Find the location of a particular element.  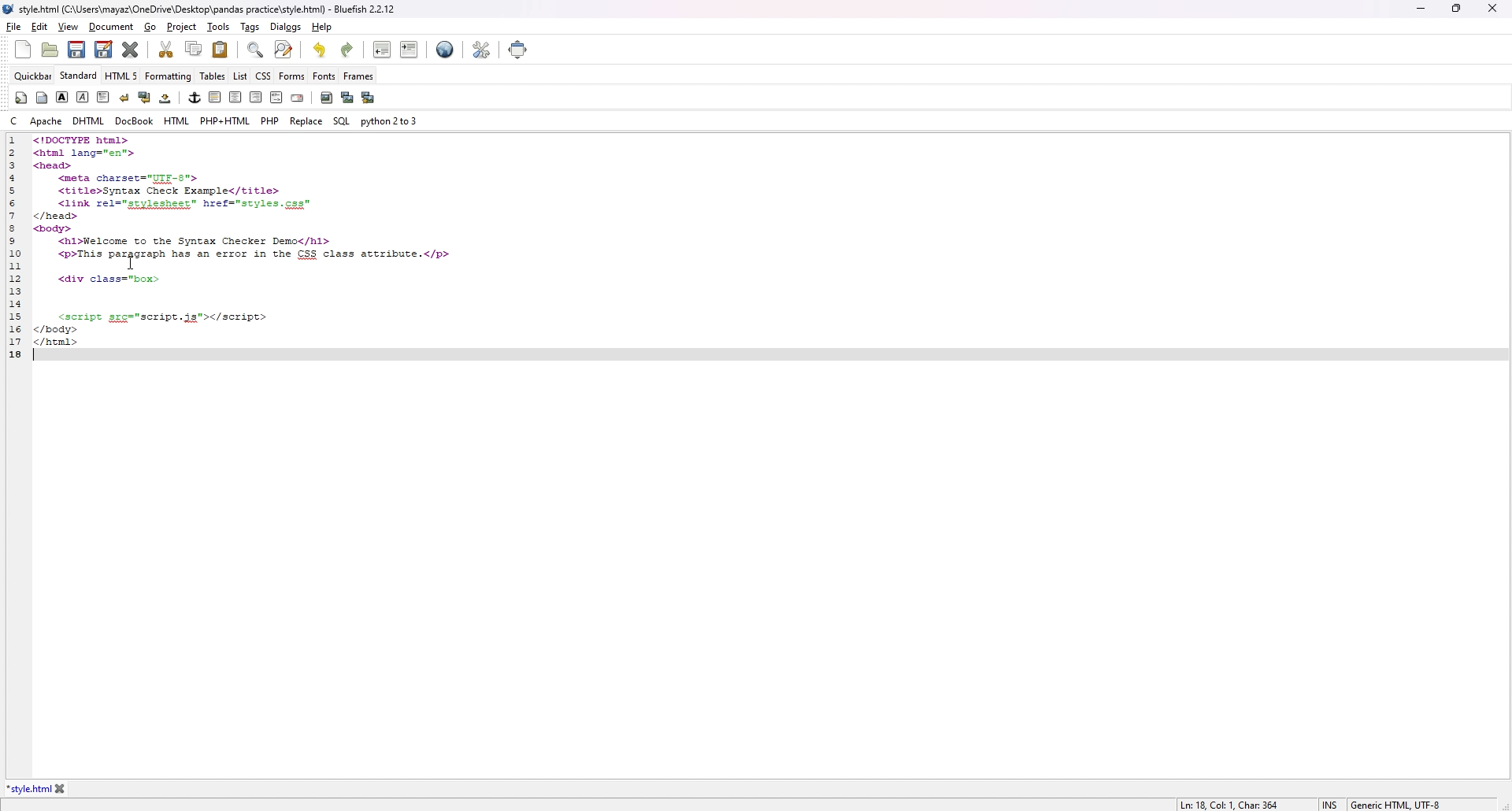

html comment is located at coordinates (276, 96).